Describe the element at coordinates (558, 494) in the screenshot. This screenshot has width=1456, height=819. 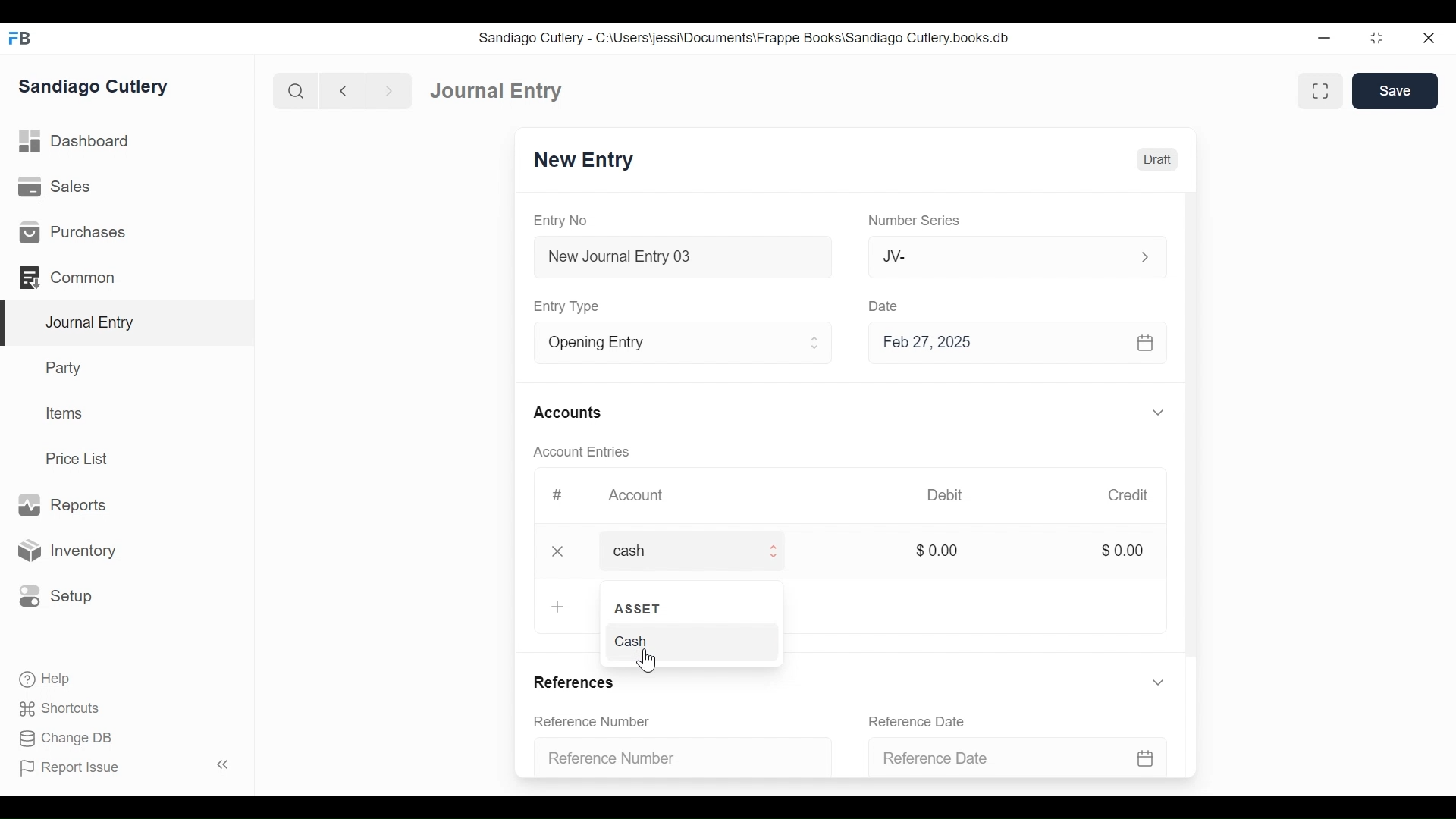
I see `#` at that location.